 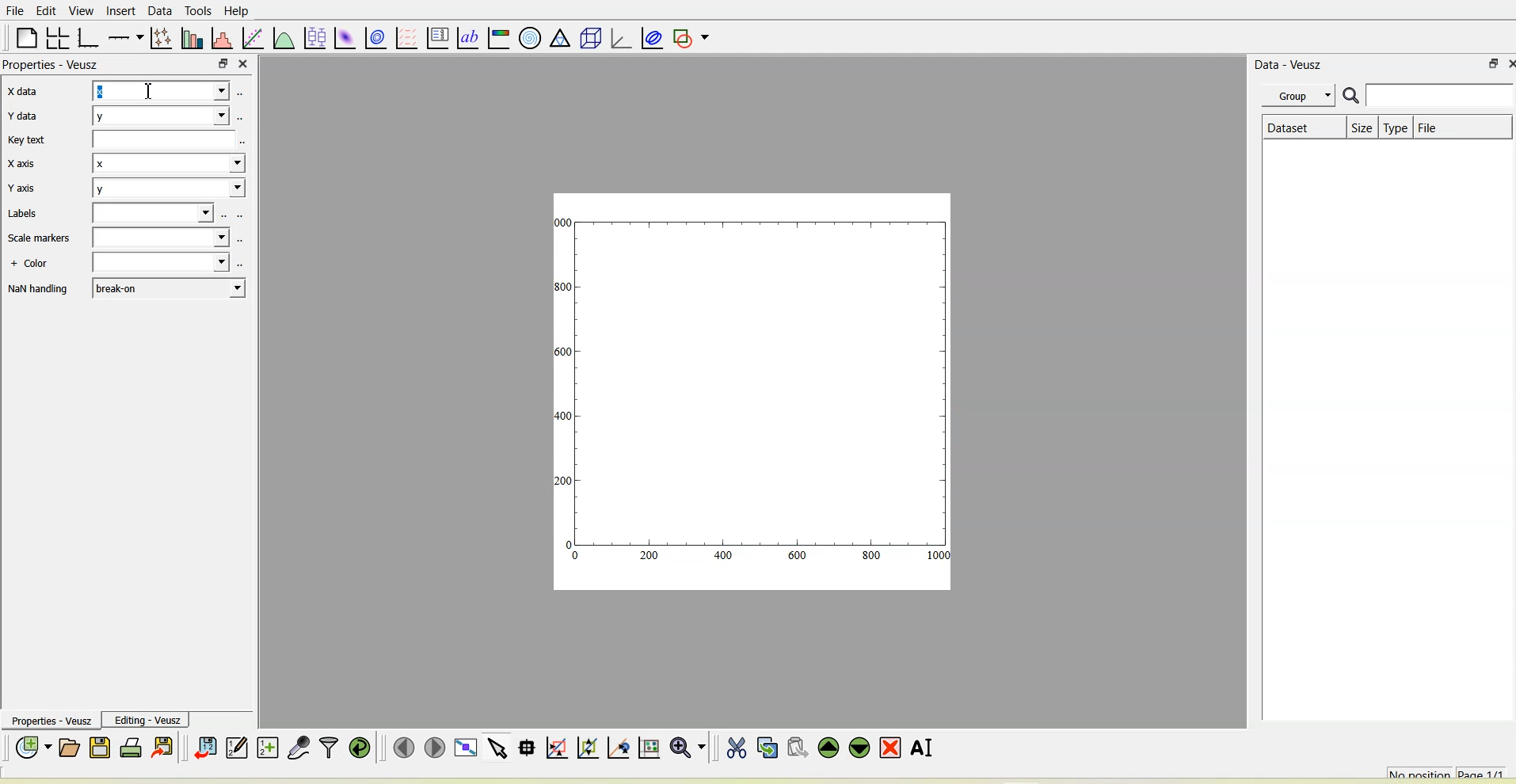 What do you see at coordinates (58, 38) in the screenshot?
I see `Arrange graphs in a grid` at bounding box center [58, 38].